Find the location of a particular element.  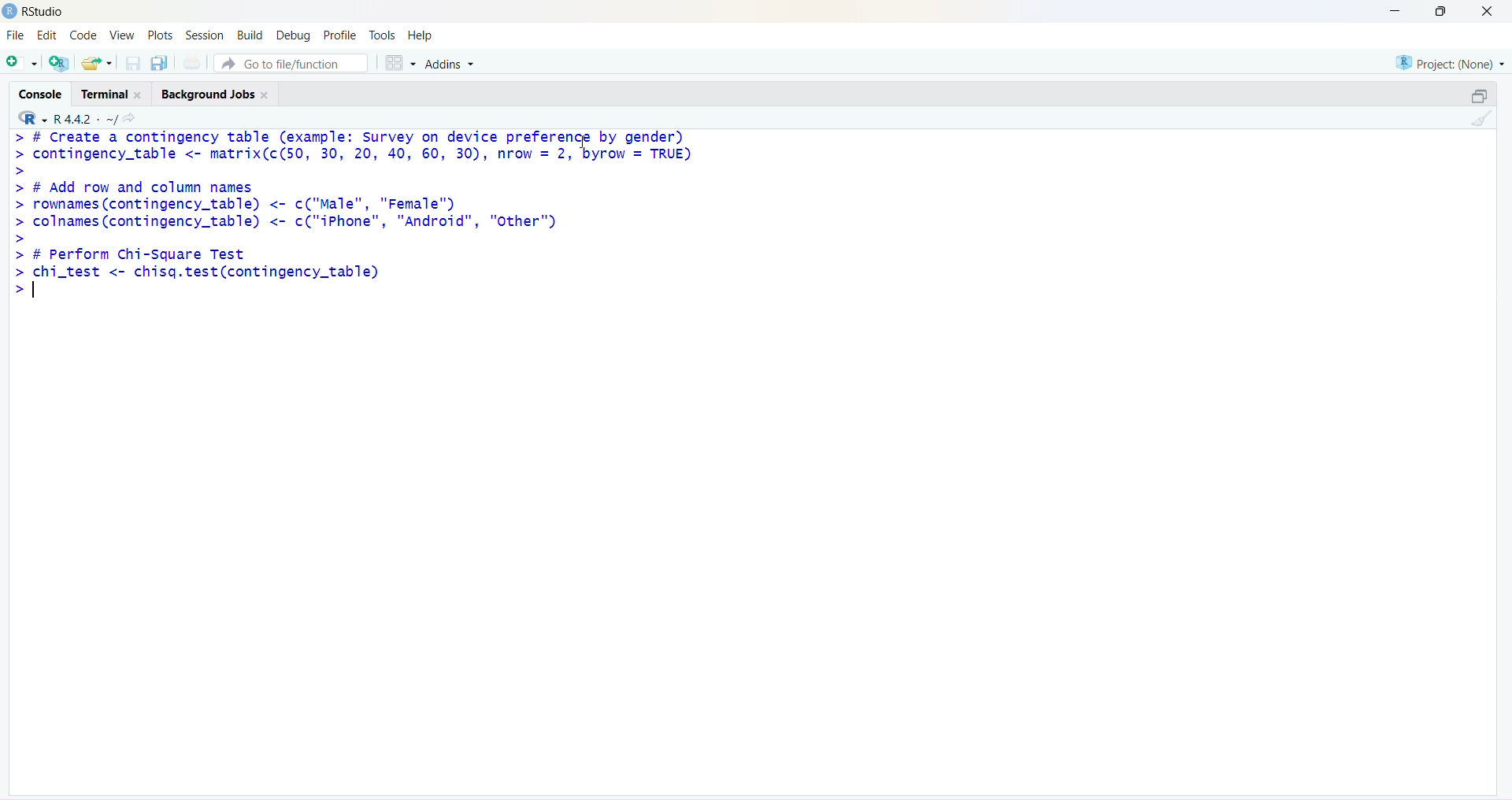

print is located at coordinates (191, 61).